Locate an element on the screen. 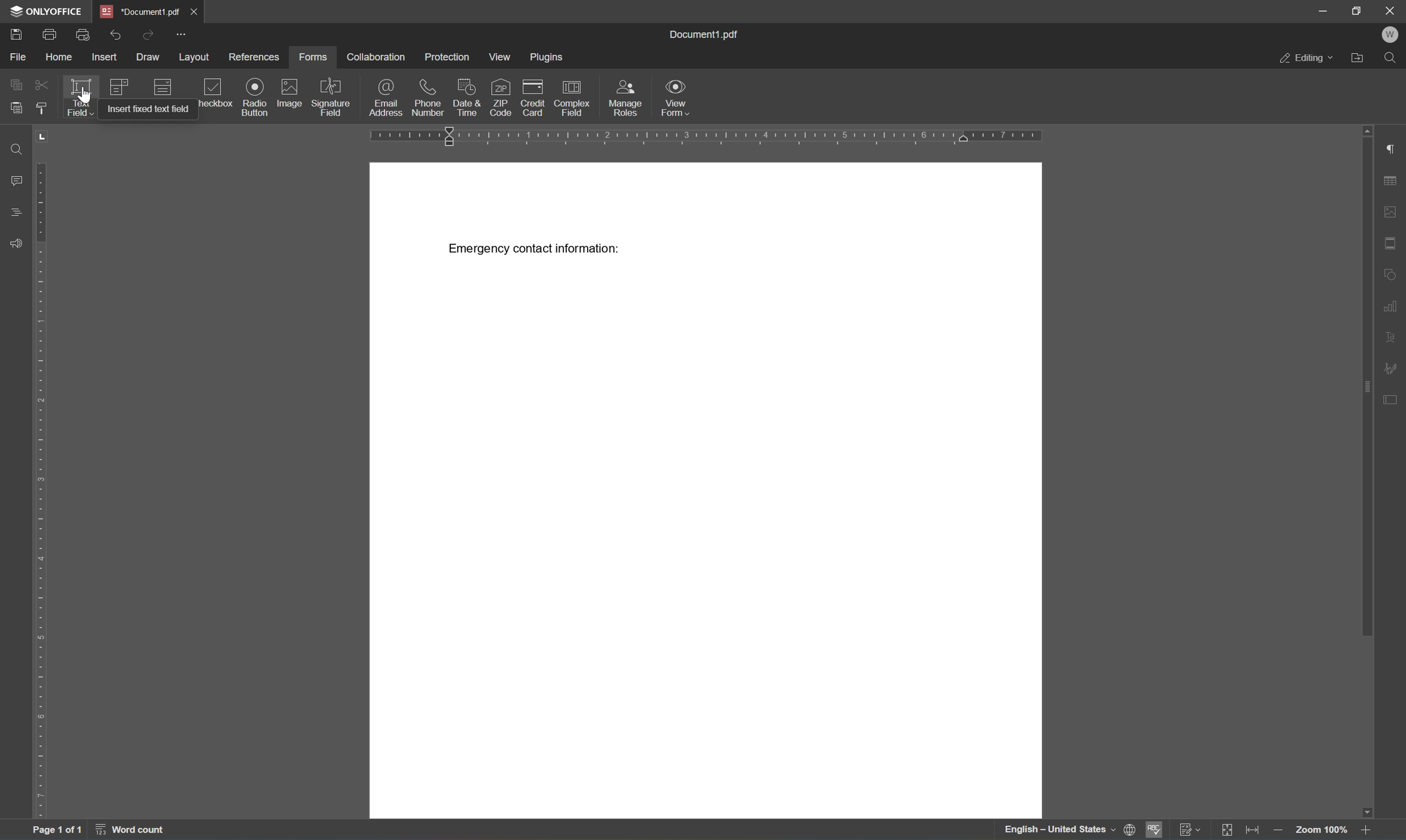 Image resolution: width=1406 pixels, height=840 pixels. references is located at coordinates (255, 55).